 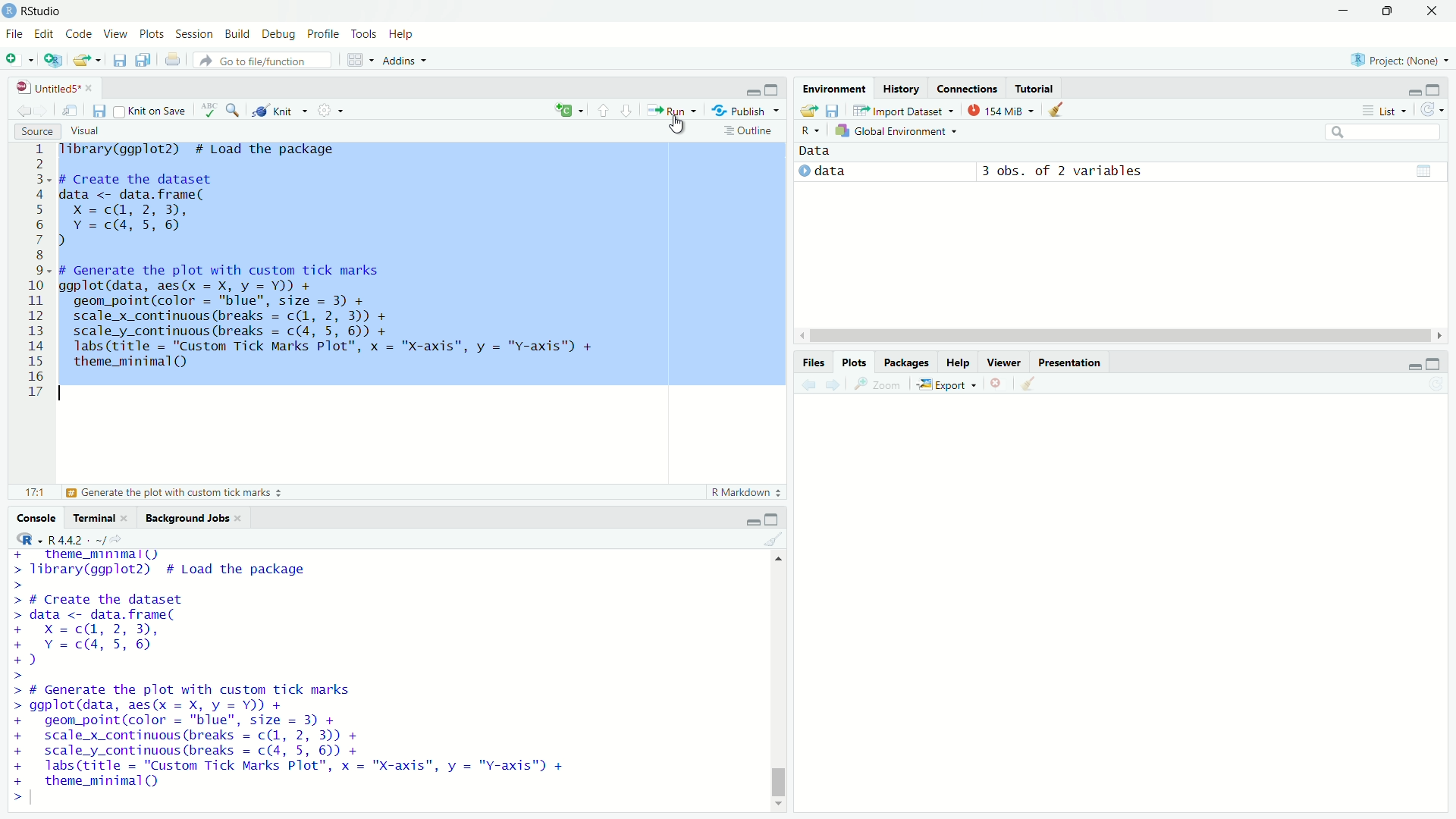 I want to click on knit, so click(x=281, y=111).